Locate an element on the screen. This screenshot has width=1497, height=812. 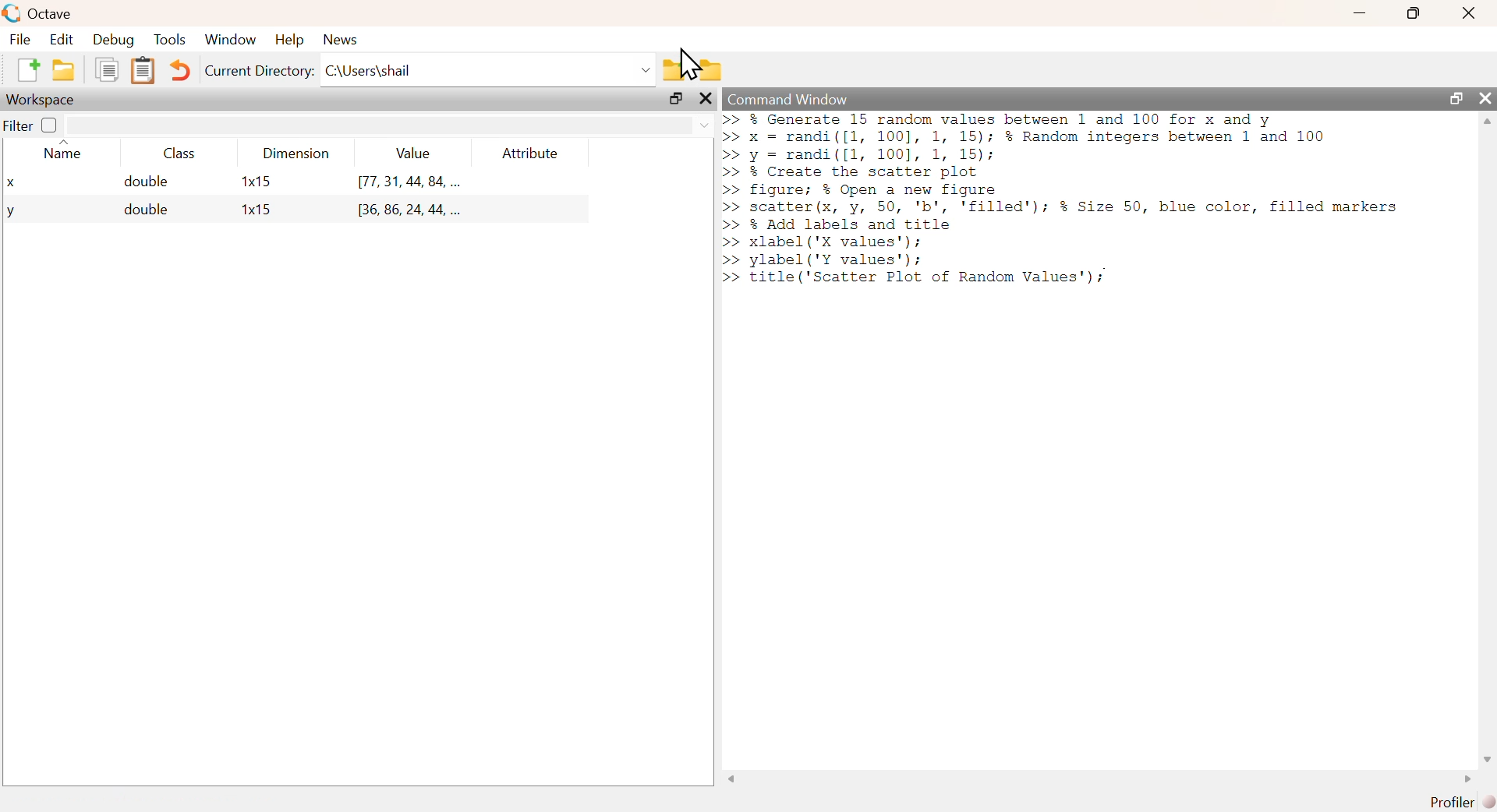
Edit is located at coordinates (62, 39).